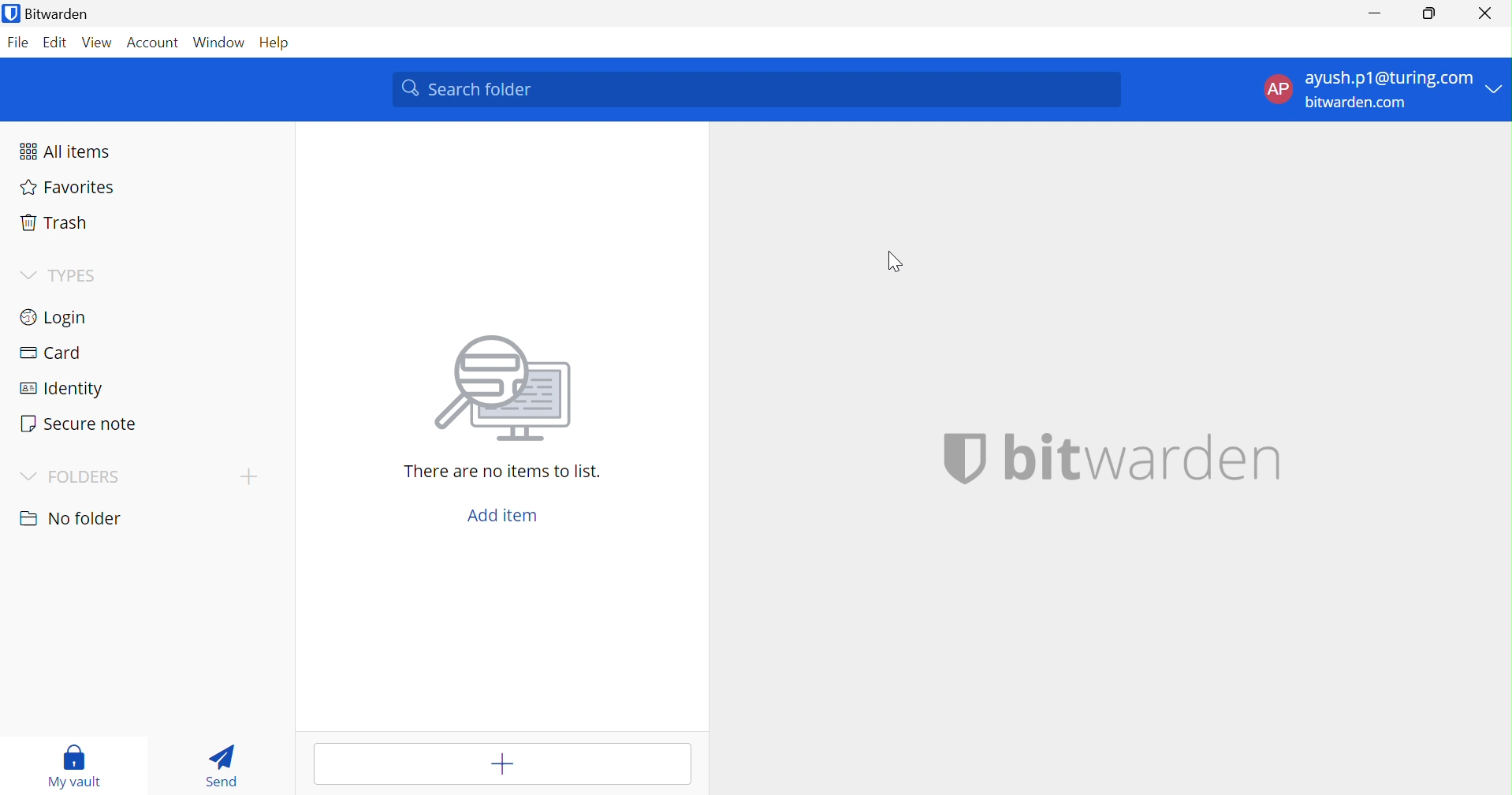  What do you see at coordinates (220, 43) in the screenshot?
I see `Window` at bounding box center [220, 43].